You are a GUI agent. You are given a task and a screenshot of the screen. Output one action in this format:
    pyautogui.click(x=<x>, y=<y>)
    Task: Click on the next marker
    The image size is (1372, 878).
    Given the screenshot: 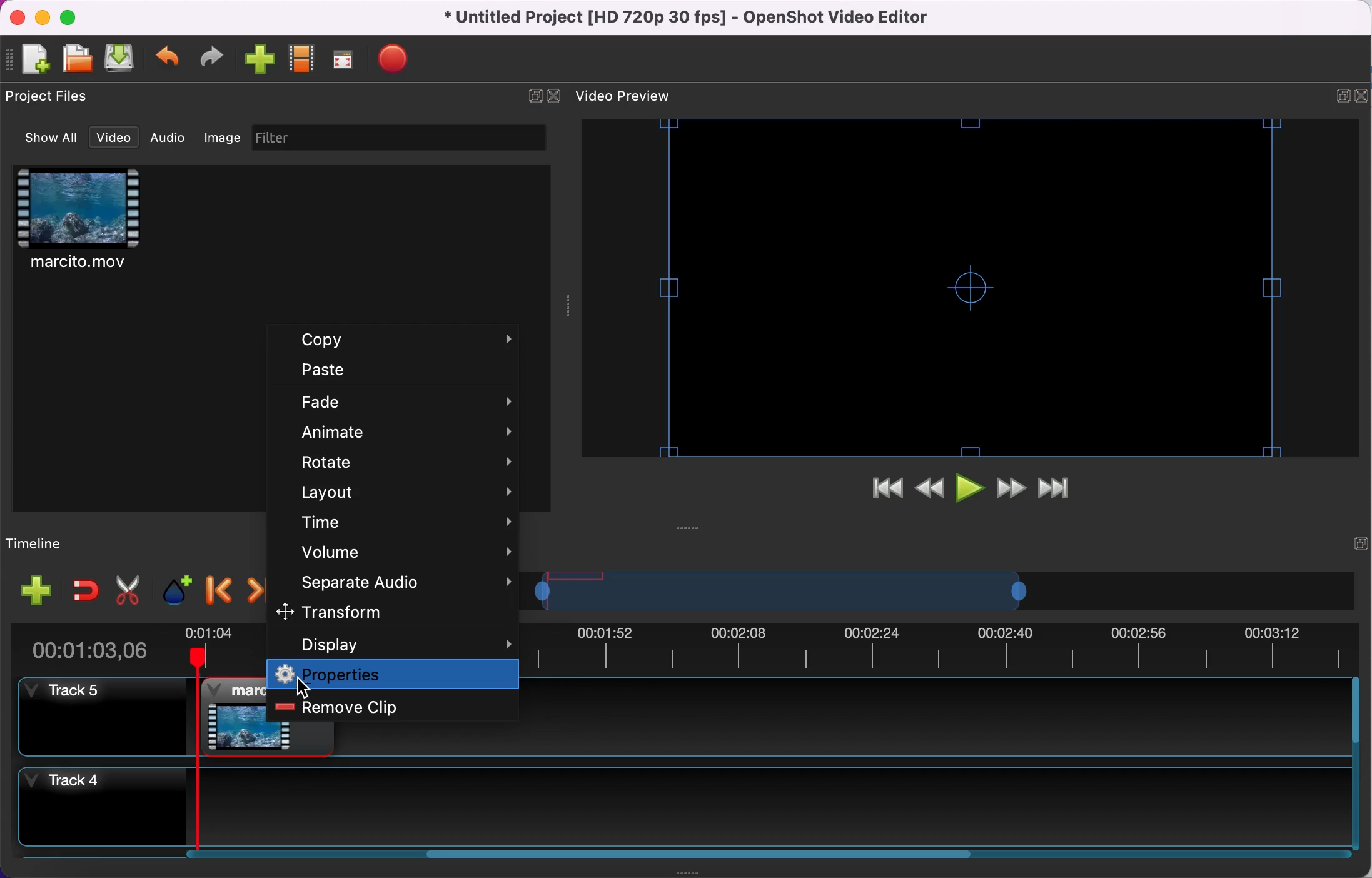 What is the action you would take?
    pyautogui.click(x=252, y=588)
    